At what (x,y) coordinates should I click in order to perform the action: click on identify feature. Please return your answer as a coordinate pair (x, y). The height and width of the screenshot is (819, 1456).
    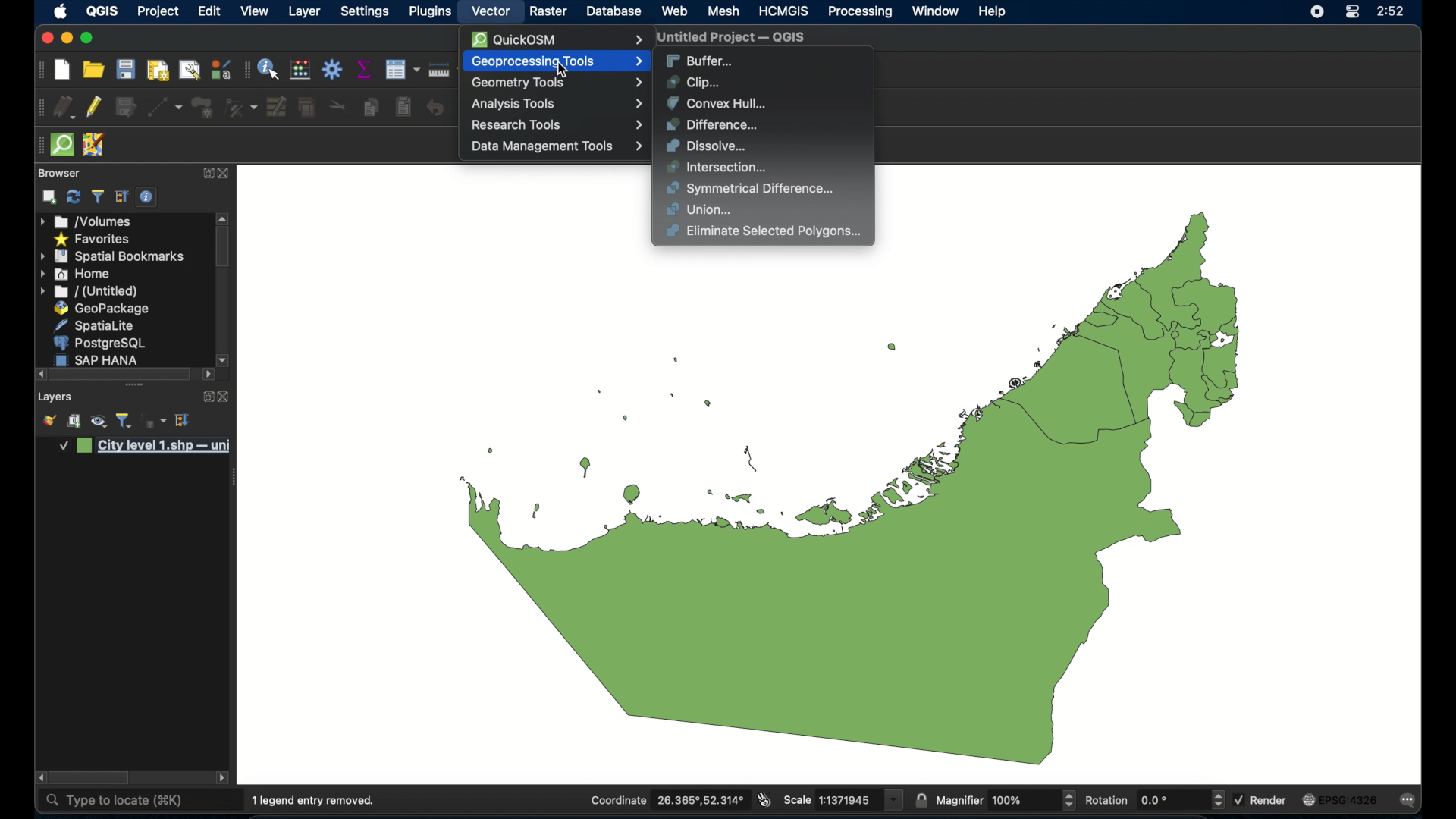
    Looking at the image, I should click on (270, 70).